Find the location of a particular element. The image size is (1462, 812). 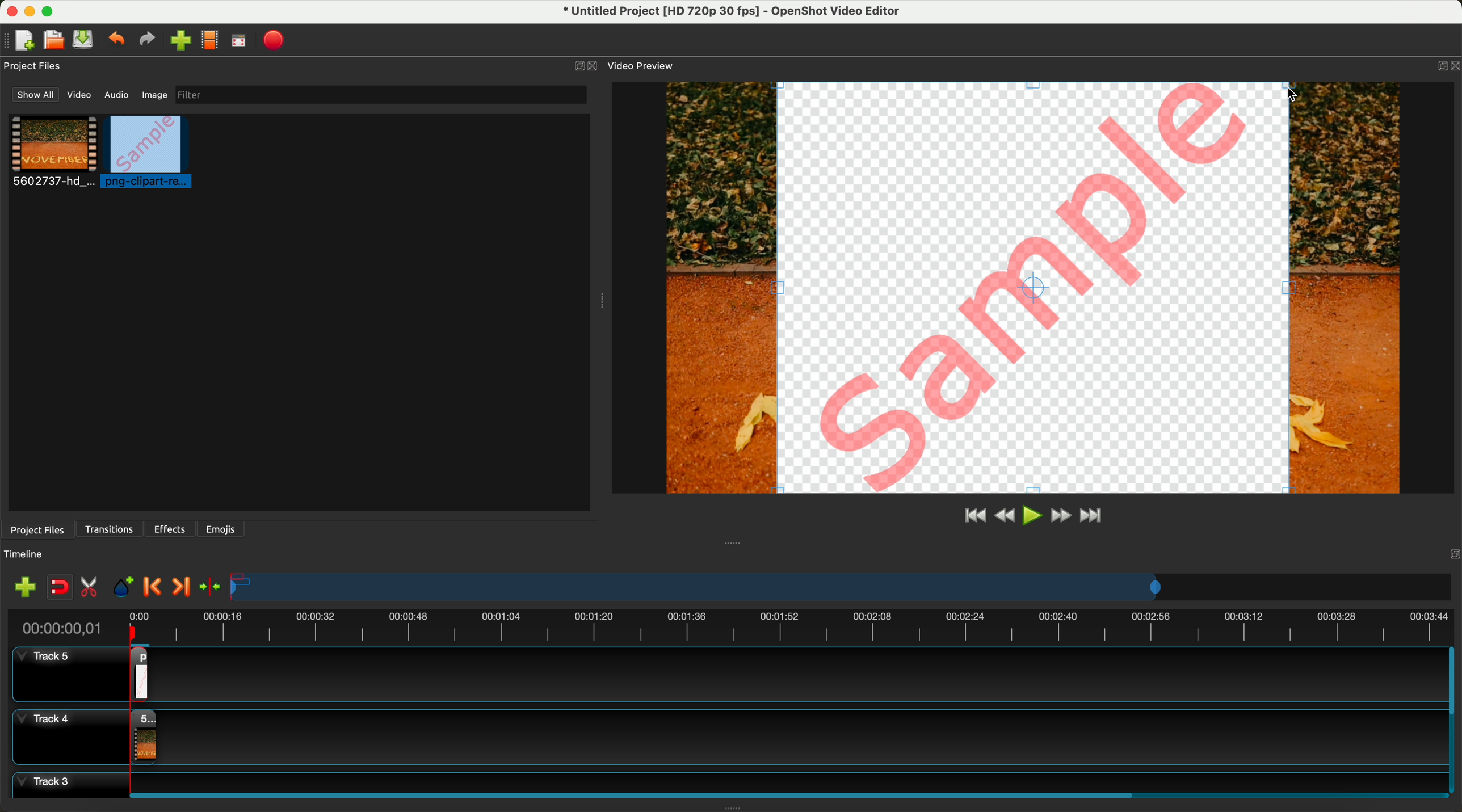

scroll bar is located at coordinates (783, 793).